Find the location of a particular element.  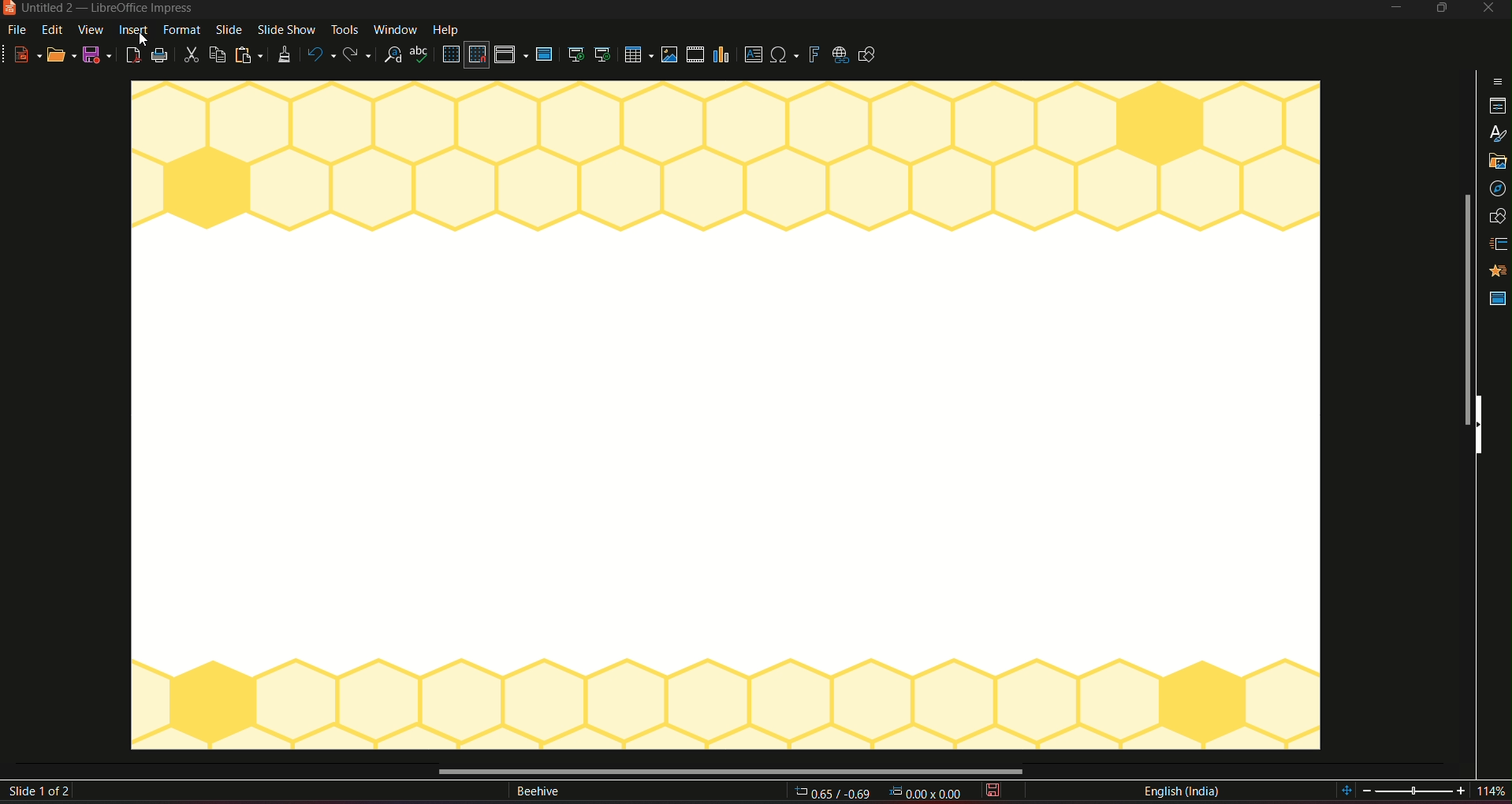

navigation is located at coordinates (1499, 189).